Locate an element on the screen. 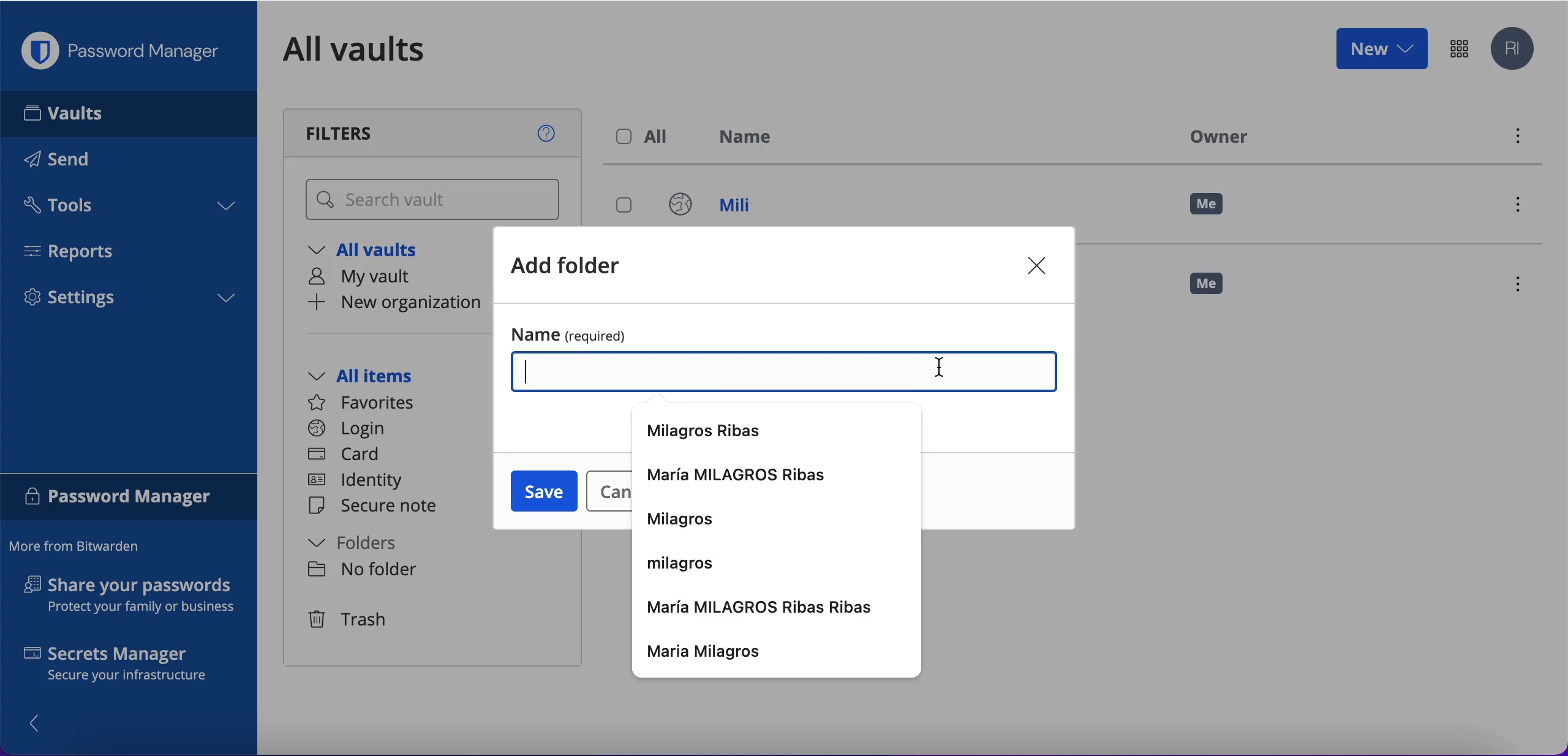 The image size is (1568, 756). add folder is located at coordinates (581, 268).